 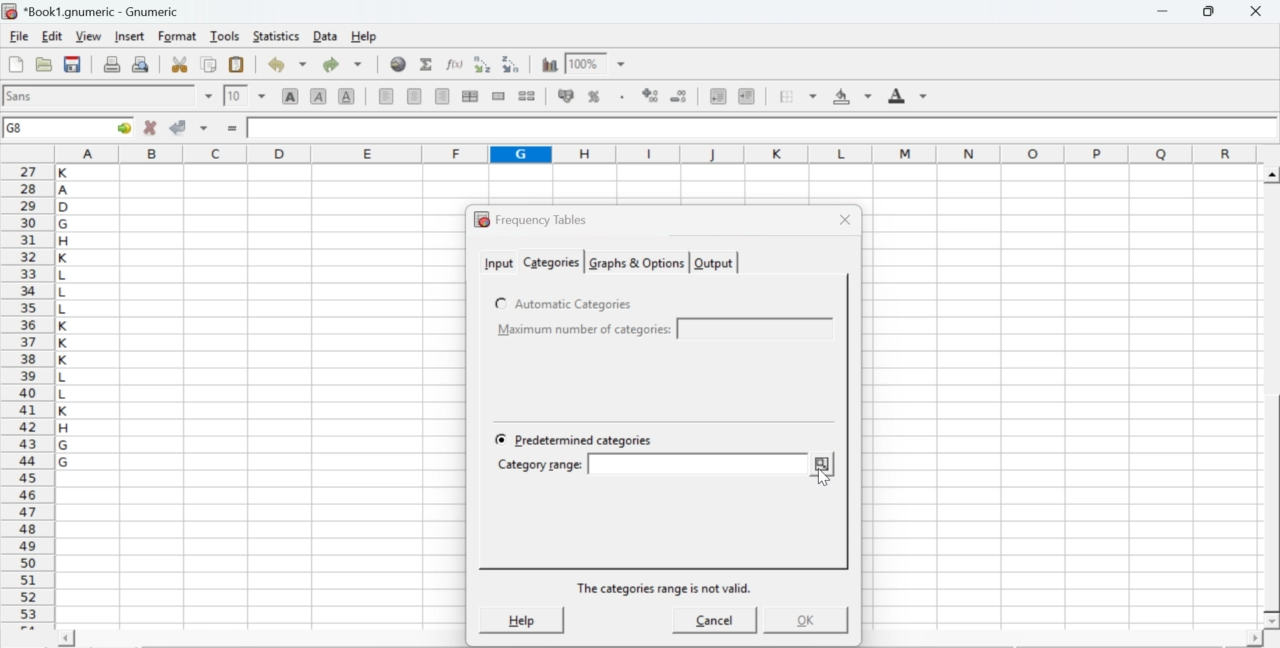 What do you see at coordinates (178, 36) in the screenshot?
I see `format` at bounding box center [178, 36].